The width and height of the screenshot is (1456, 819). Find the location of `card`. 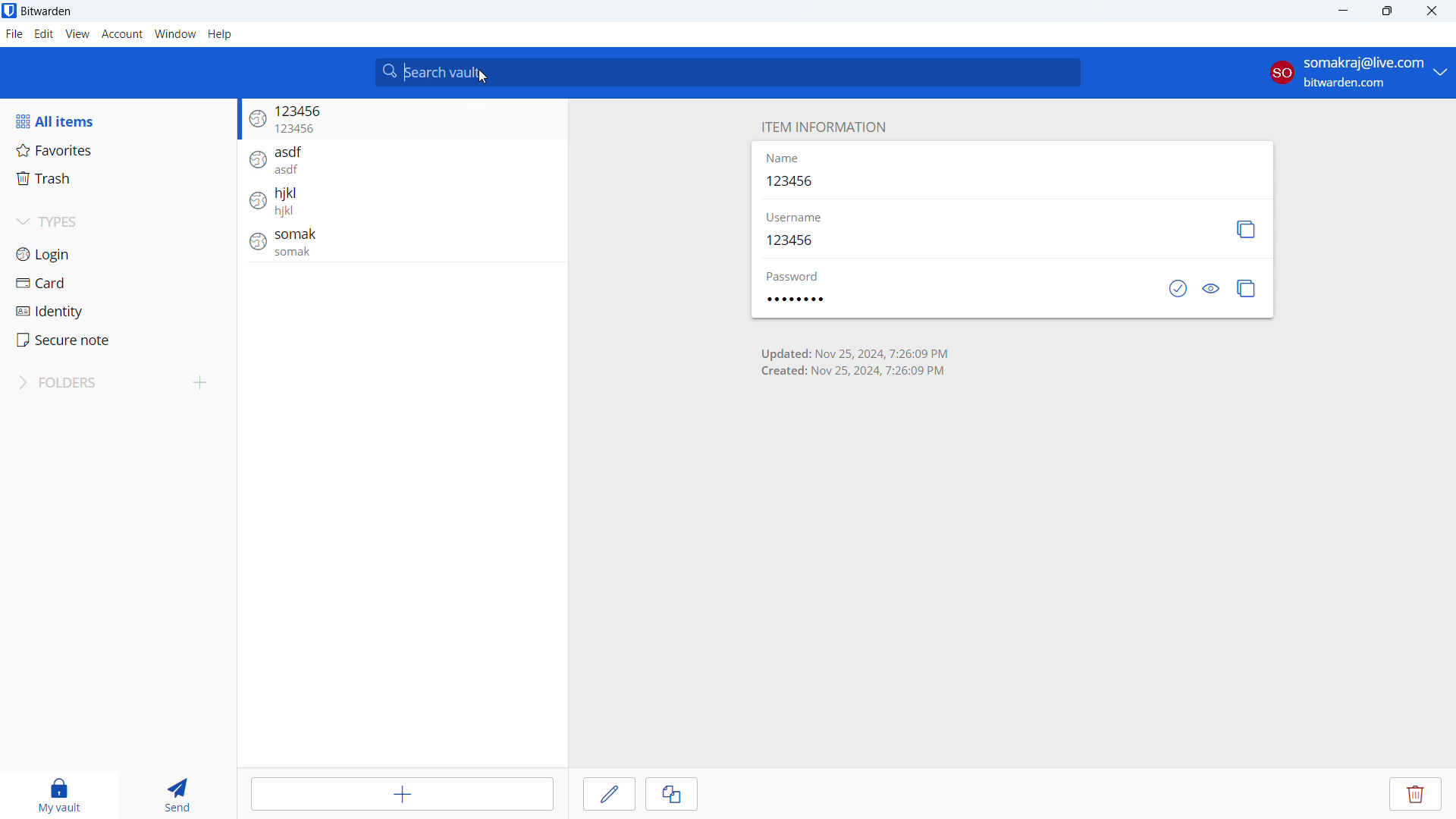

card is located at coordinates (118, 282).